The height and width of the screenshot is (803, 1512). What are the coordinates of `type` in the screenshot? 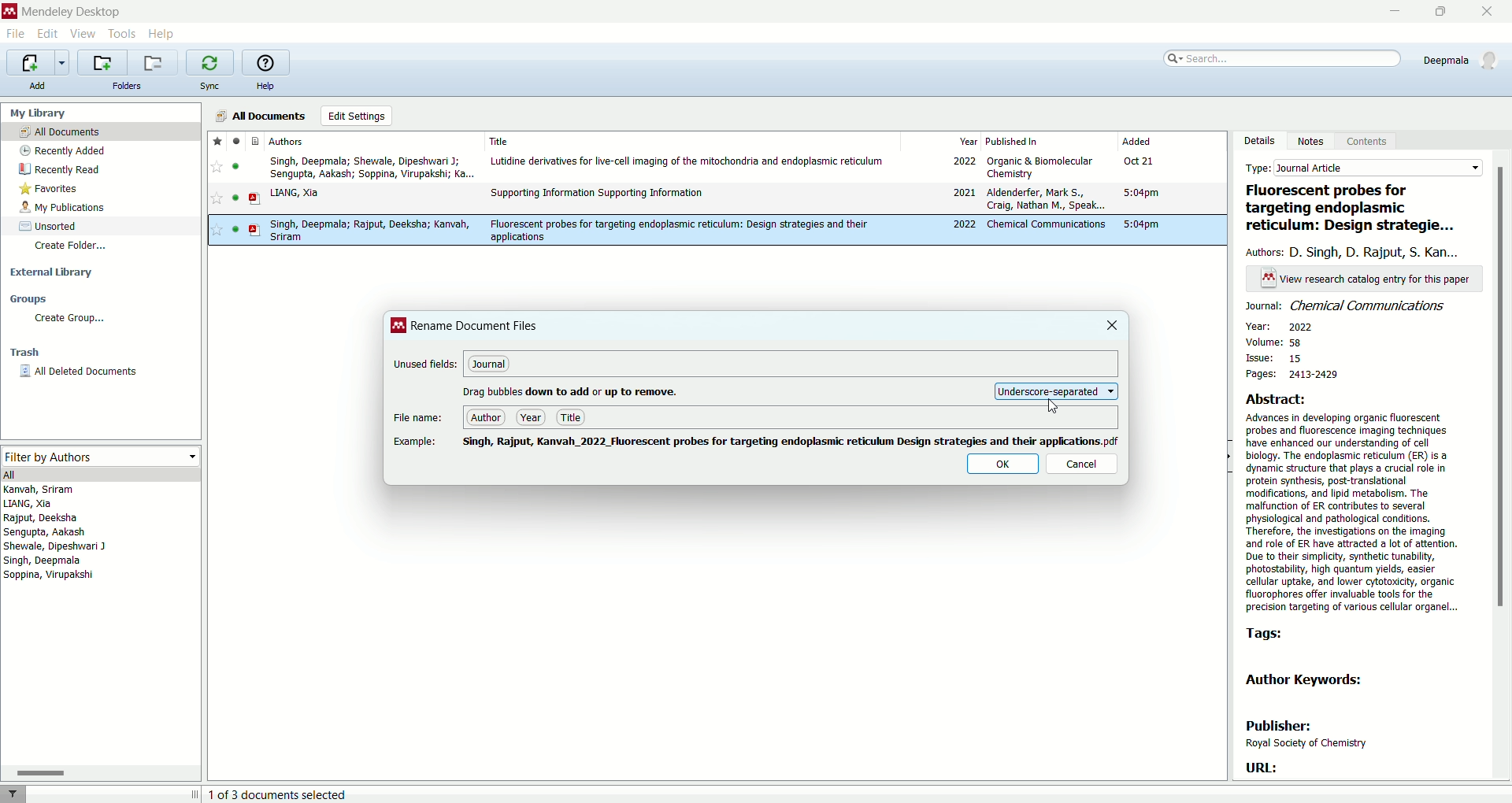 It's located at (1365, 168).